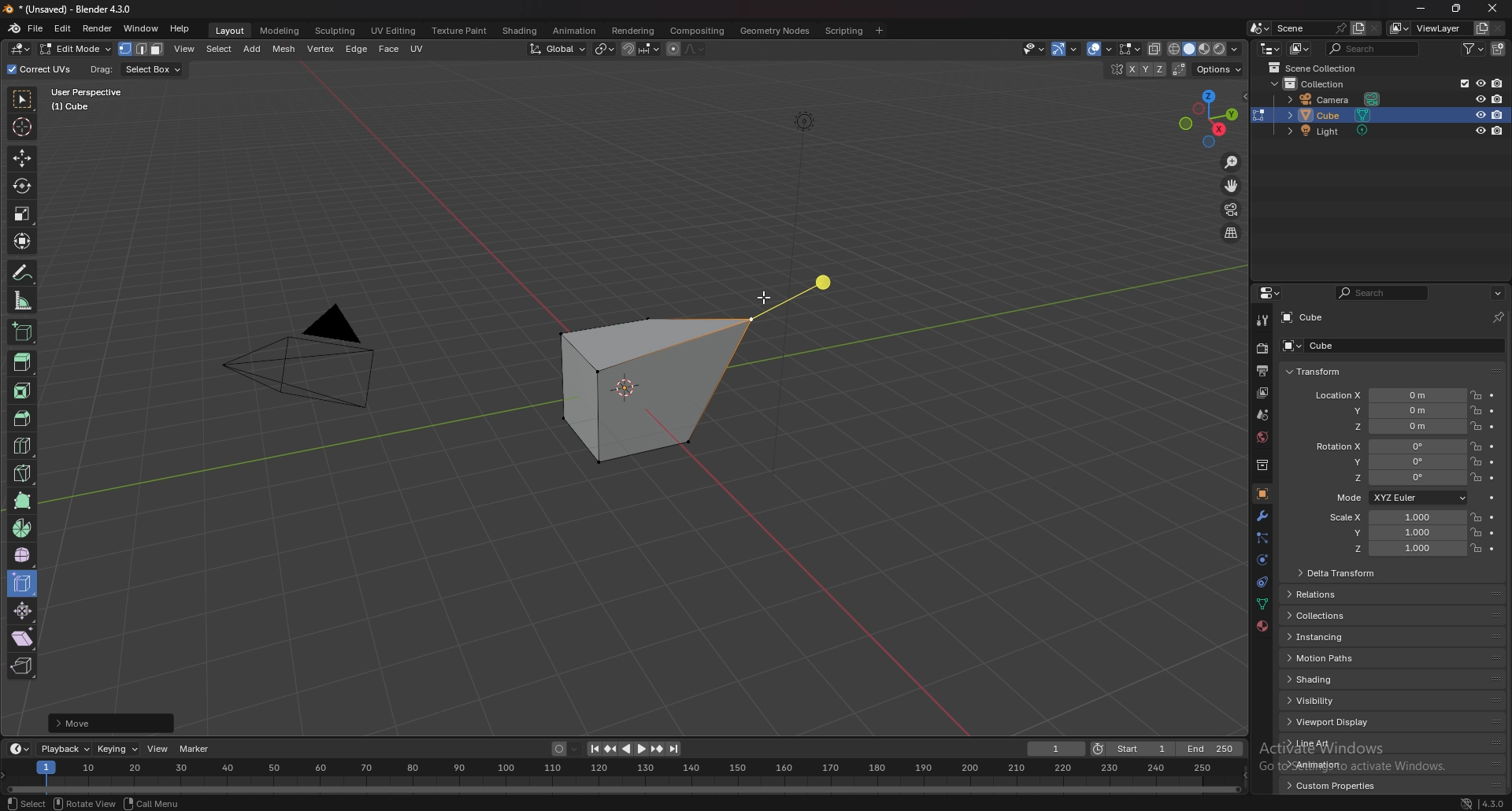  I want to click on start frame, so click(1136, 748).